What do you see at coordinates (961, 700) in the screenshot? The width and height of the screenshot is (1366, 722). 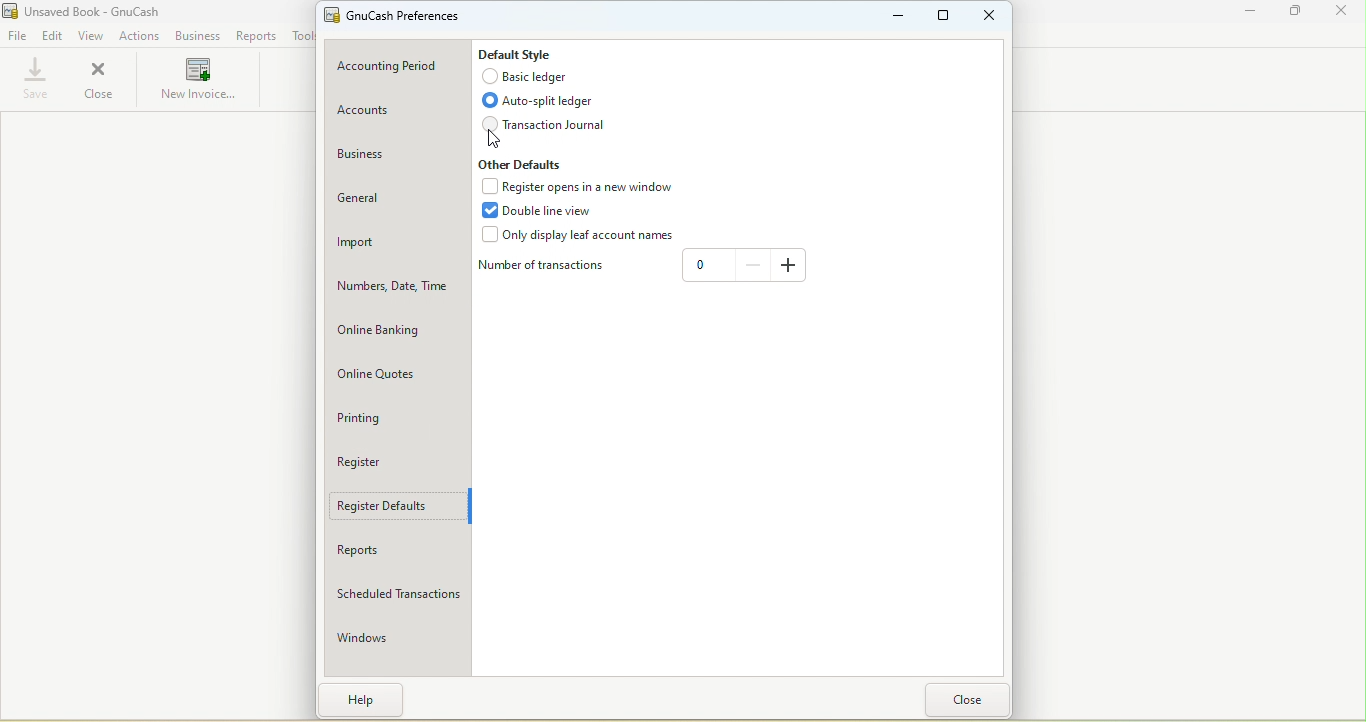 I see `Close` at bounding box center [961, 700].